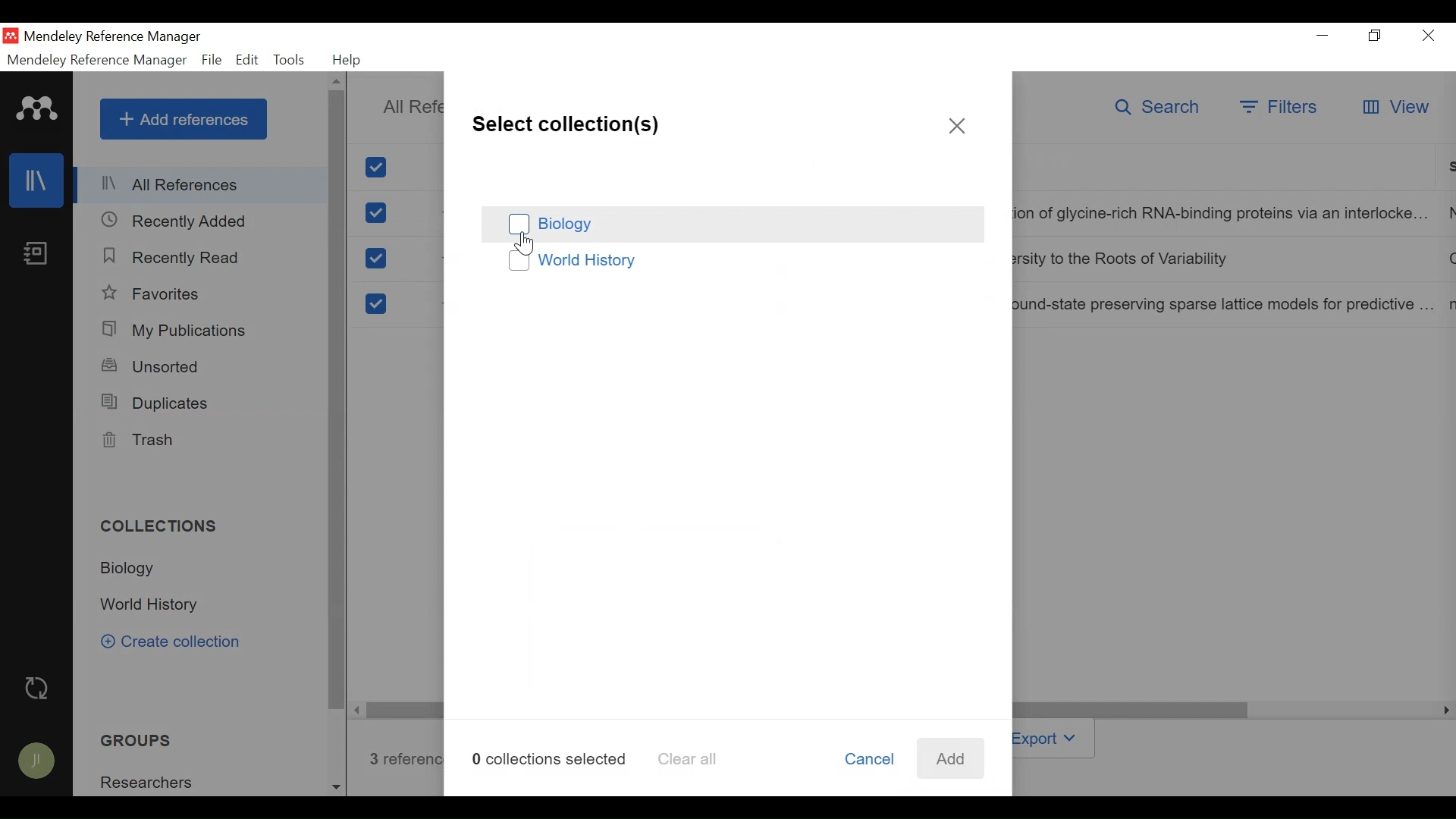  Describe the element at coordinates (180, 643) in the screenshot. I see `Create Collection` at that location.